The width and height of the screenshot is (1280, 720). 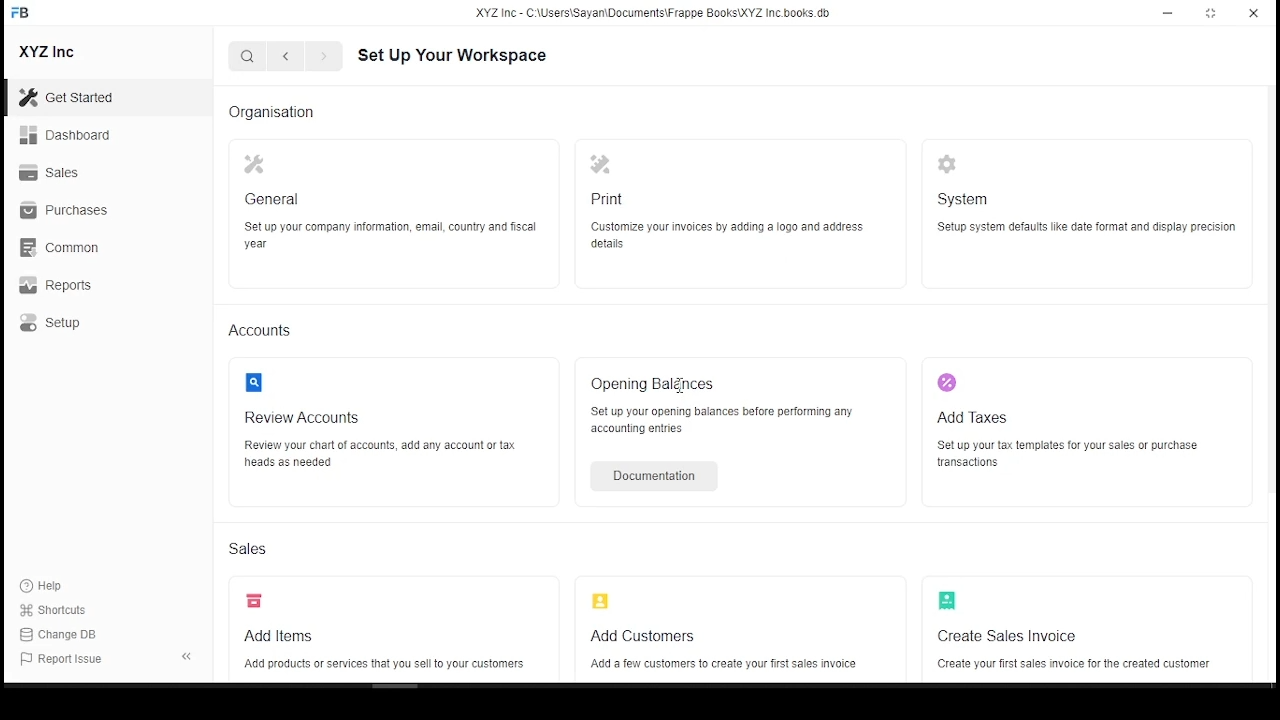 What do you see at coordinates (275, 200) in the screenshot?
I see `general` at bounding box center [275, 200].